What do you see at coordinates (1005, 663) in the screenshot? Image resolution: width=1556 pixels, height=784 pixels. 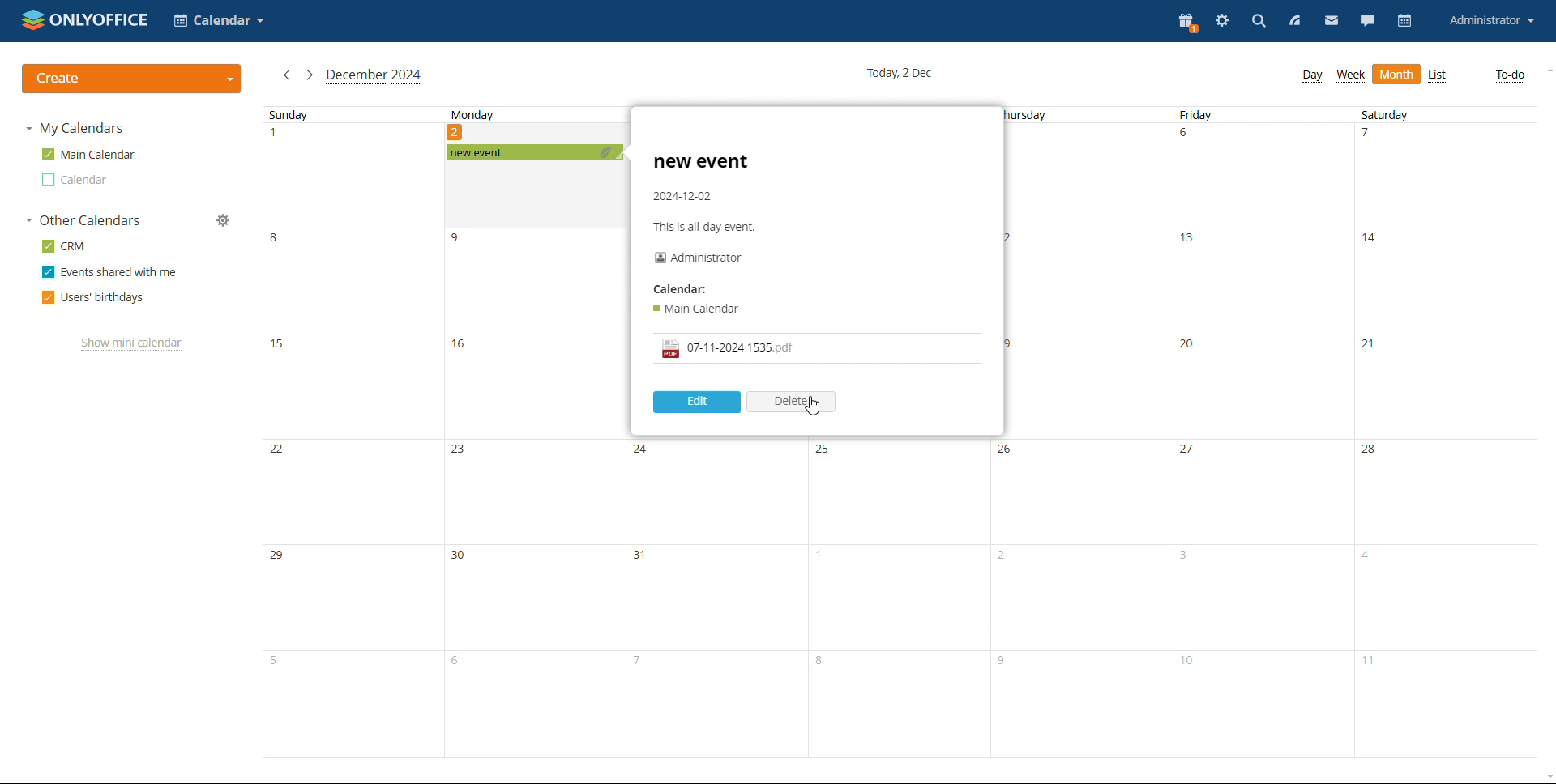 I see `9` at bounding box center [1005, 663].